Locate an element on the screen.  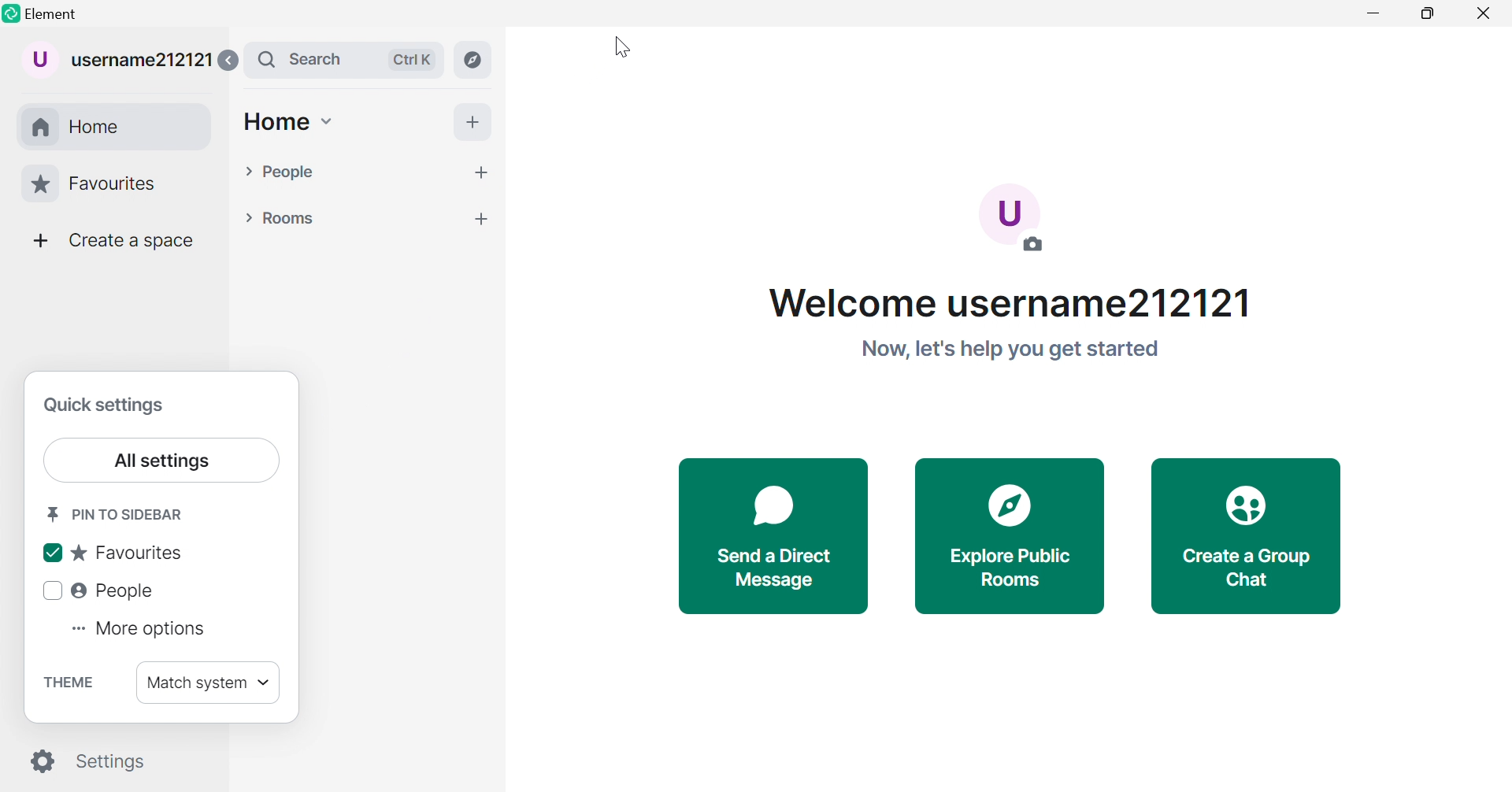
Add a photo so people know it's you. is located at coordinates (1014, 223).